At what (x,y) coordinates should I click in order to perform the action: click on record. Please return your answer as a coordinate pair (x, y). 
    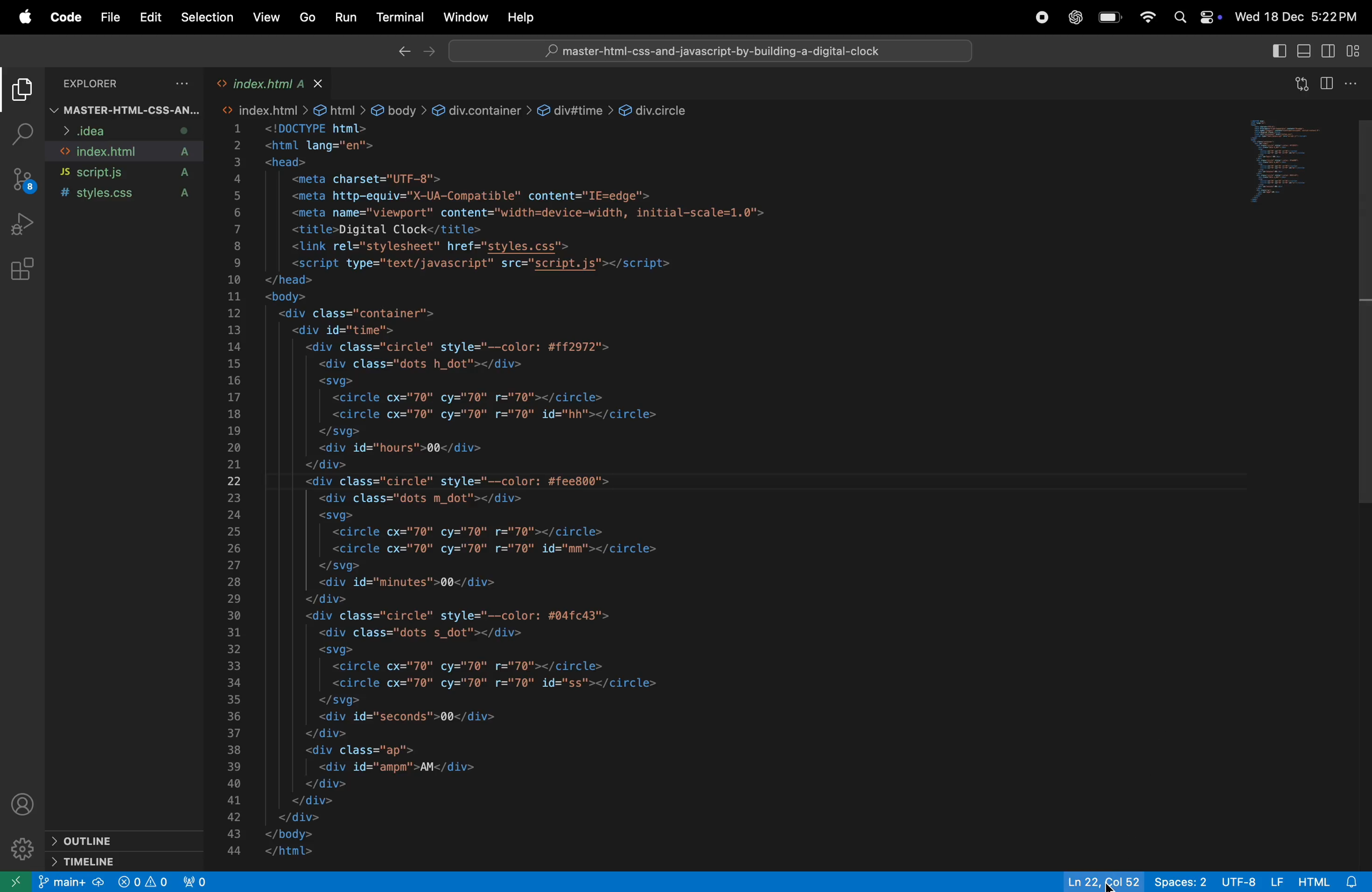
    Looking at the image, I should click on (1039, 20).